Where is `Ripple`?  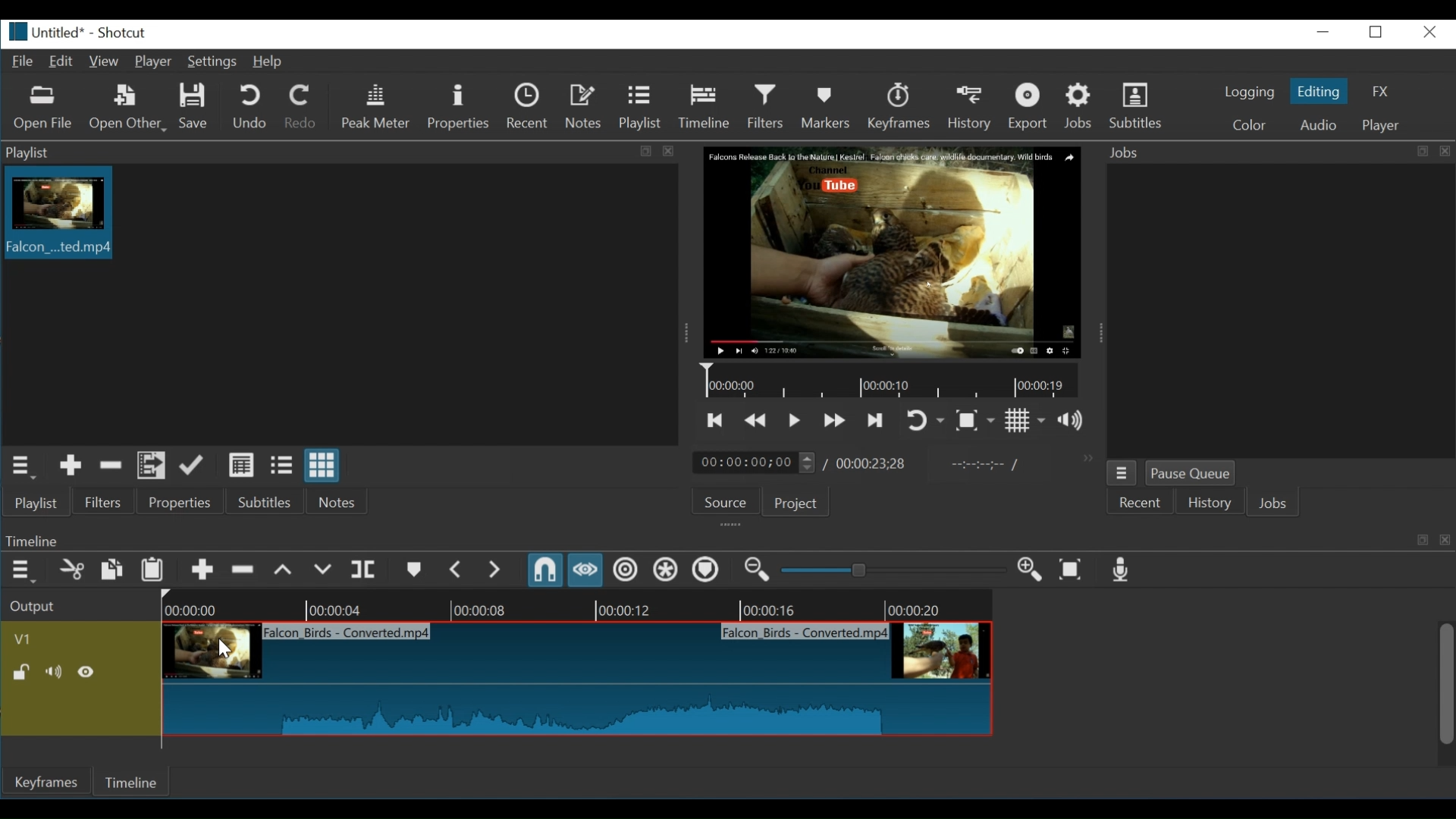 Ripple is located at coordinates (625, 570).